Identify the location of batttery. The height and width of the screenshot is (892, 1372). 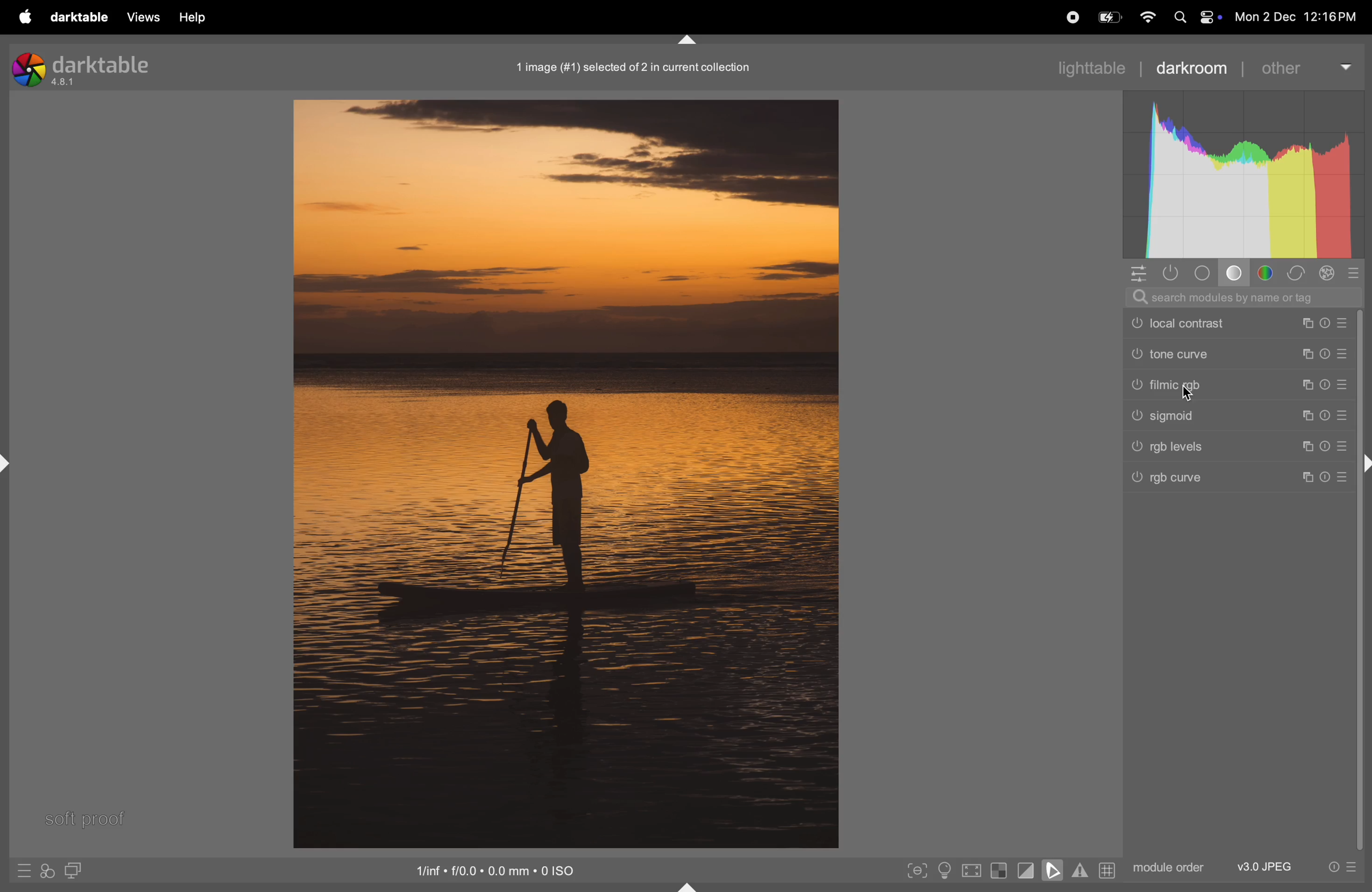
(1109, 18).